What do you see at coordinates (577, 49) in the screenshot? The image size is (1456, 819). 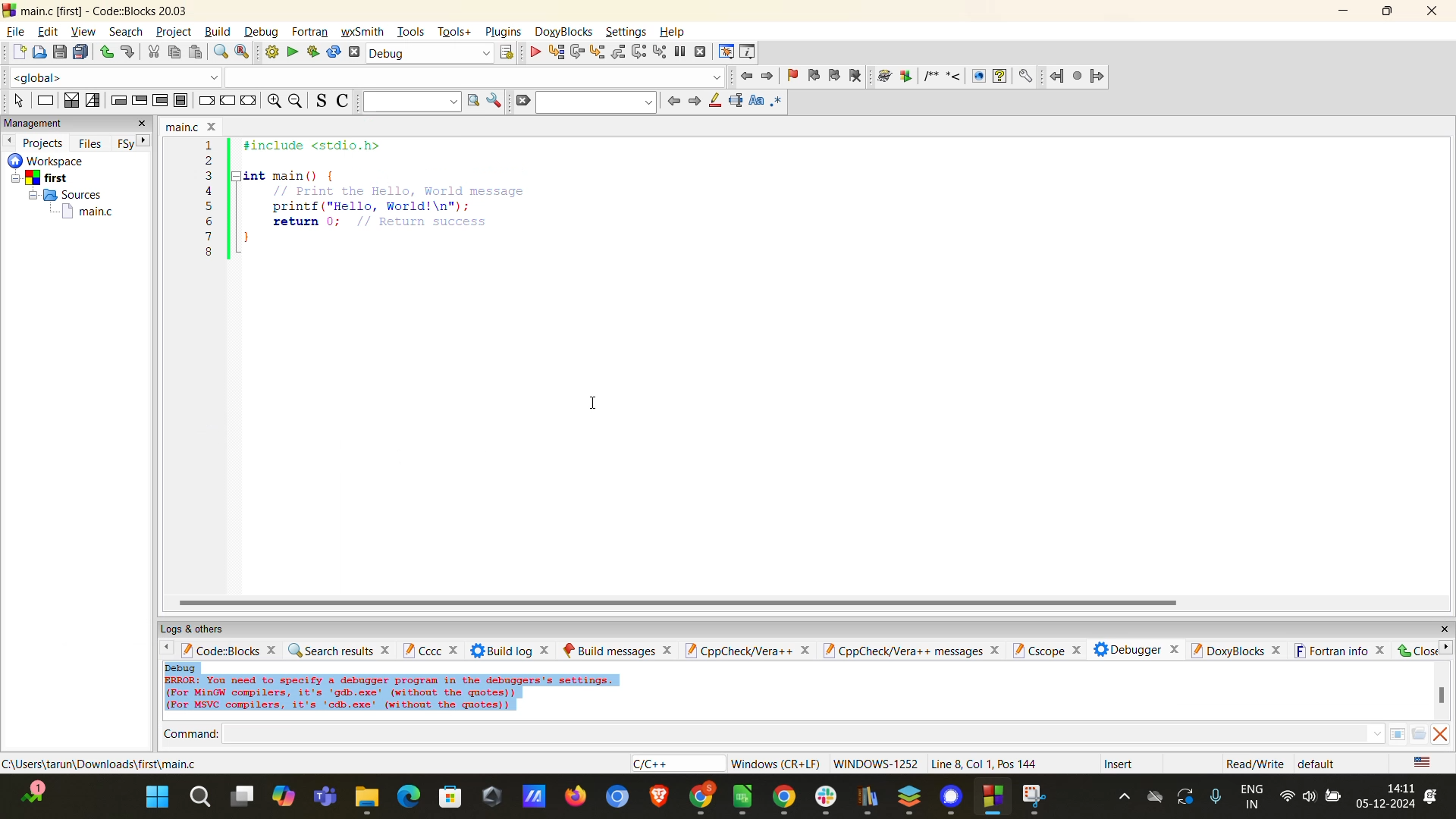 I see `next line` at bounding box center [577, 49].